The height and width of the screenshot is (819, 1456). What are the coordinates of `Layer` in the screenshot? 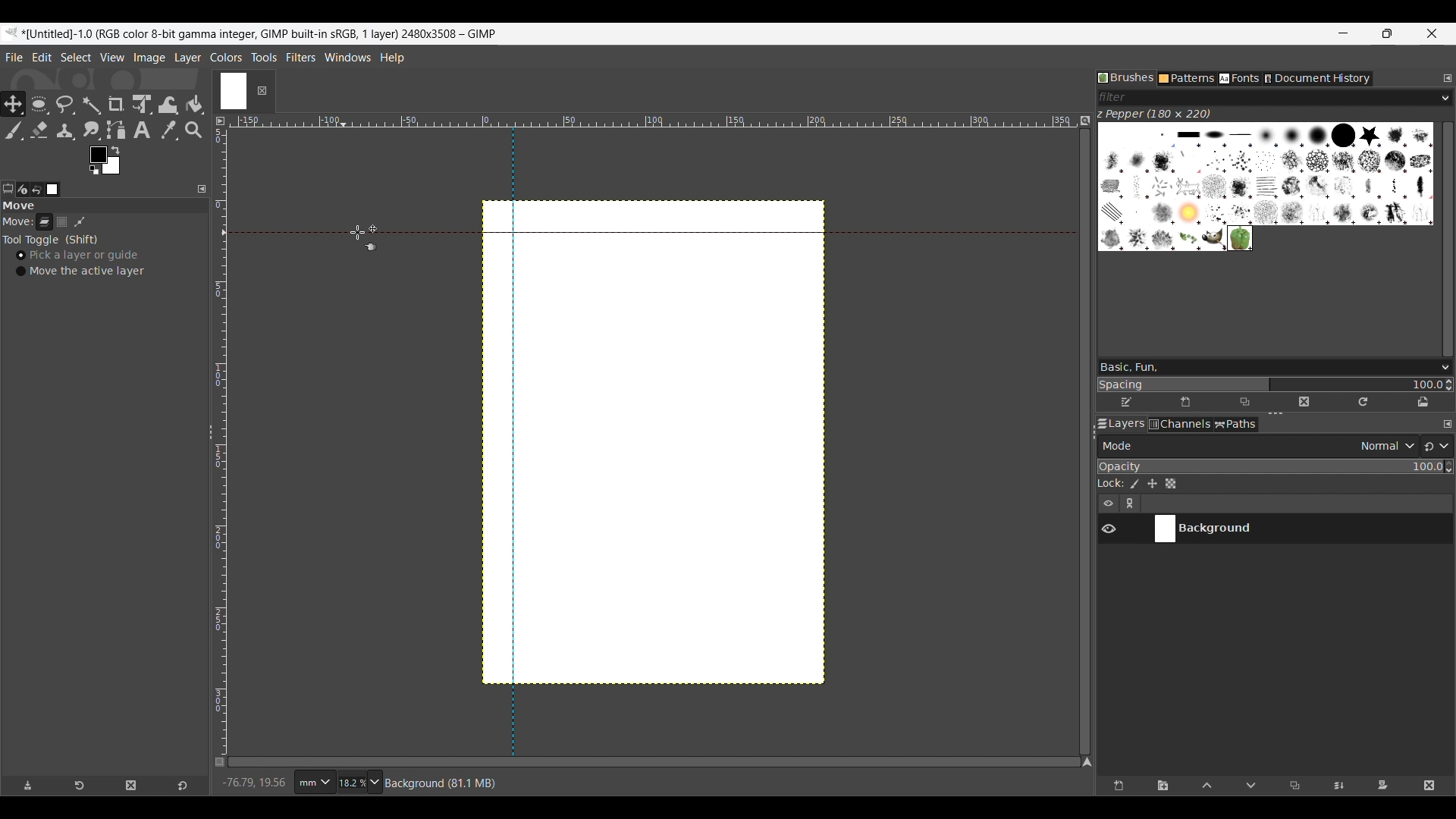 It's located at (45, 224).